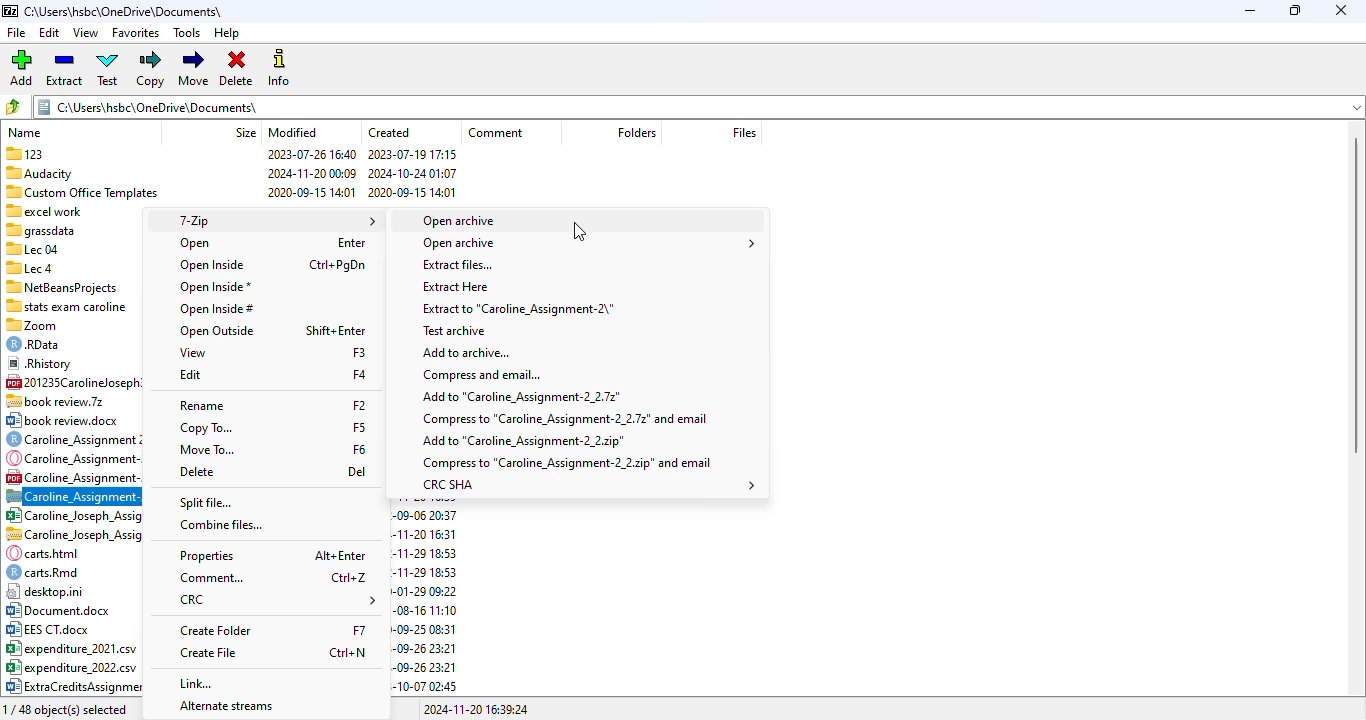  I want to click on tools, so click(187, 33).